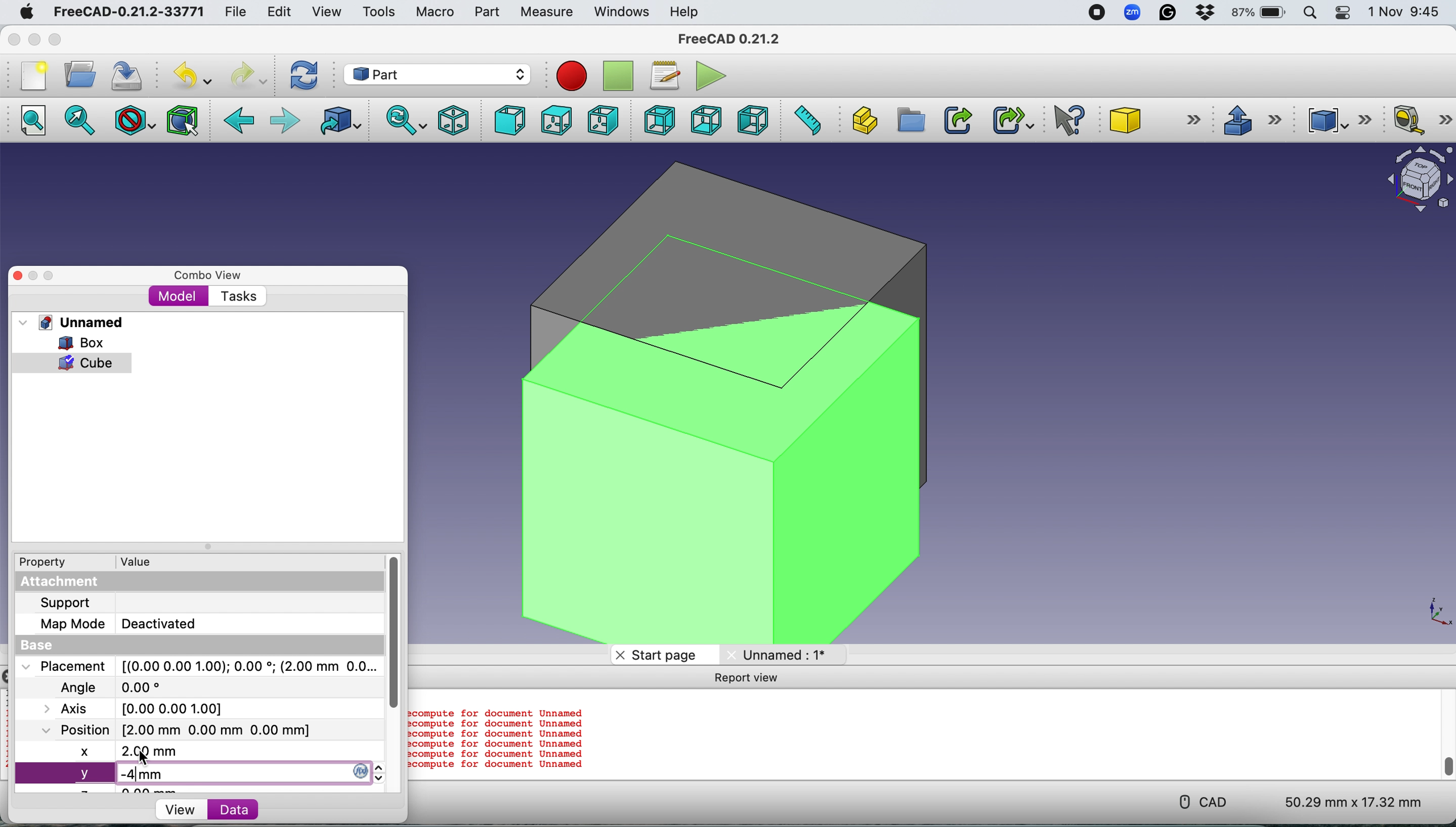 This screenshot has width=1456, height=827. I want to click on Measure distance, so click(806, 119).